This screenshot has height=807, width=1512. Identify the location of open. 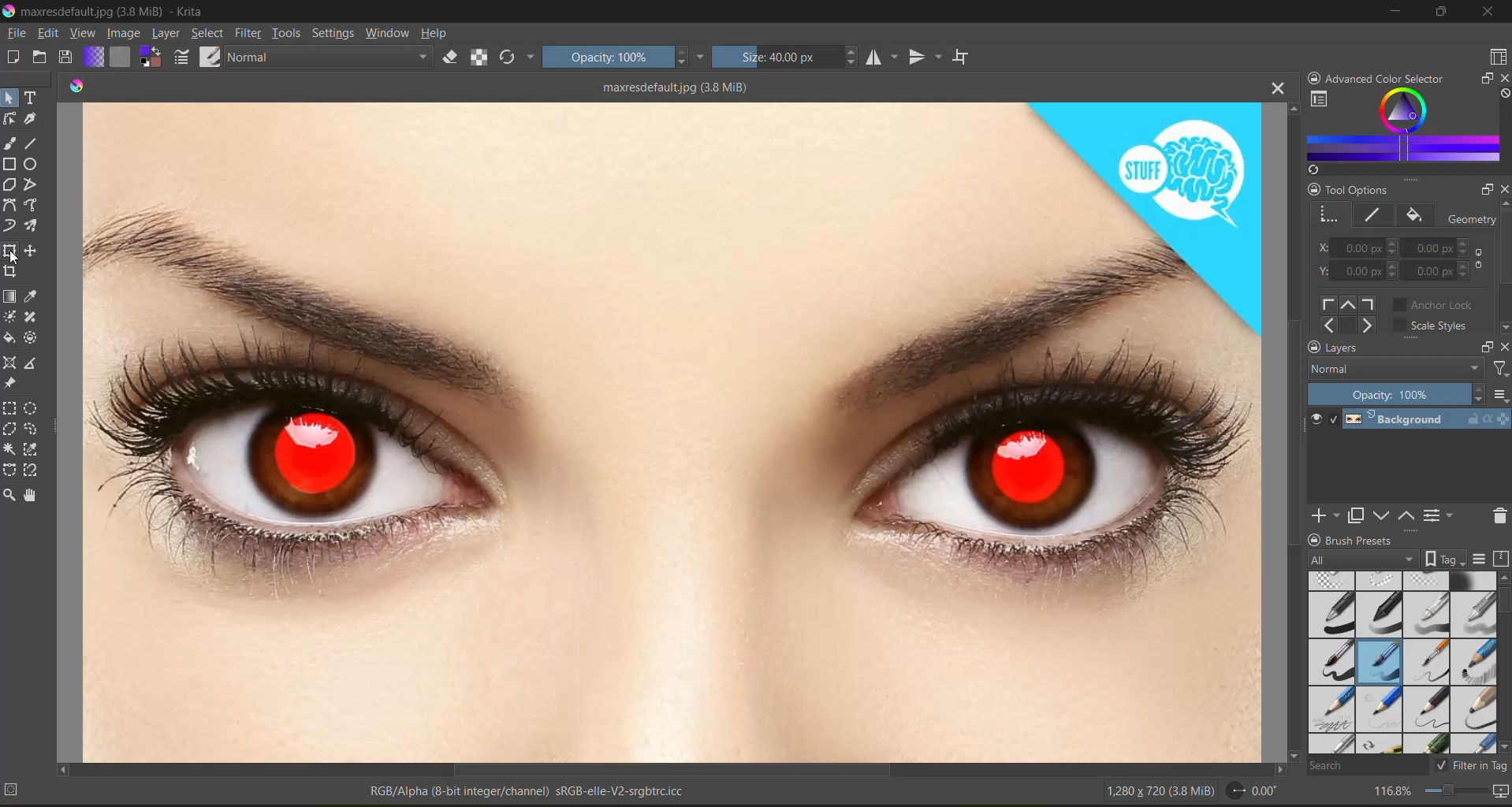
(43, 59).